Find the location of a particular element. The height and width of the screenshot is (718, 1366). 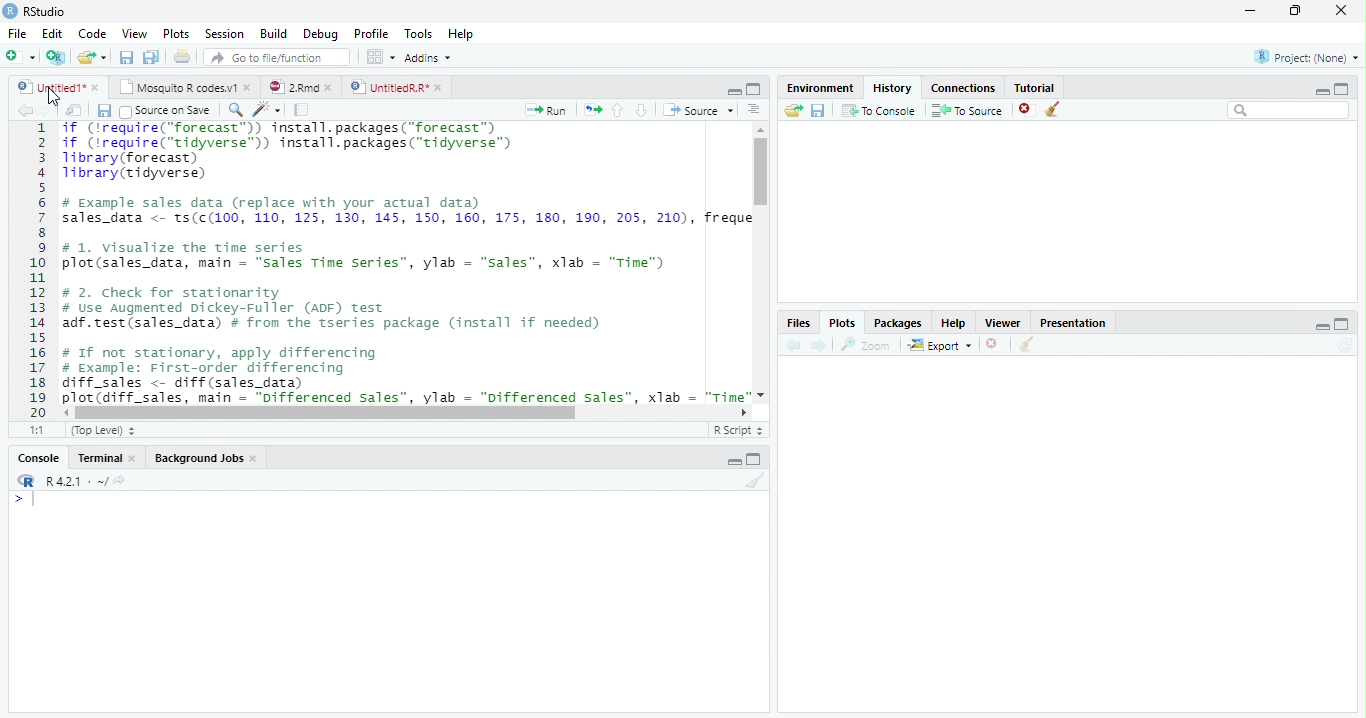

Create a project is located at coordinates (57, 59).